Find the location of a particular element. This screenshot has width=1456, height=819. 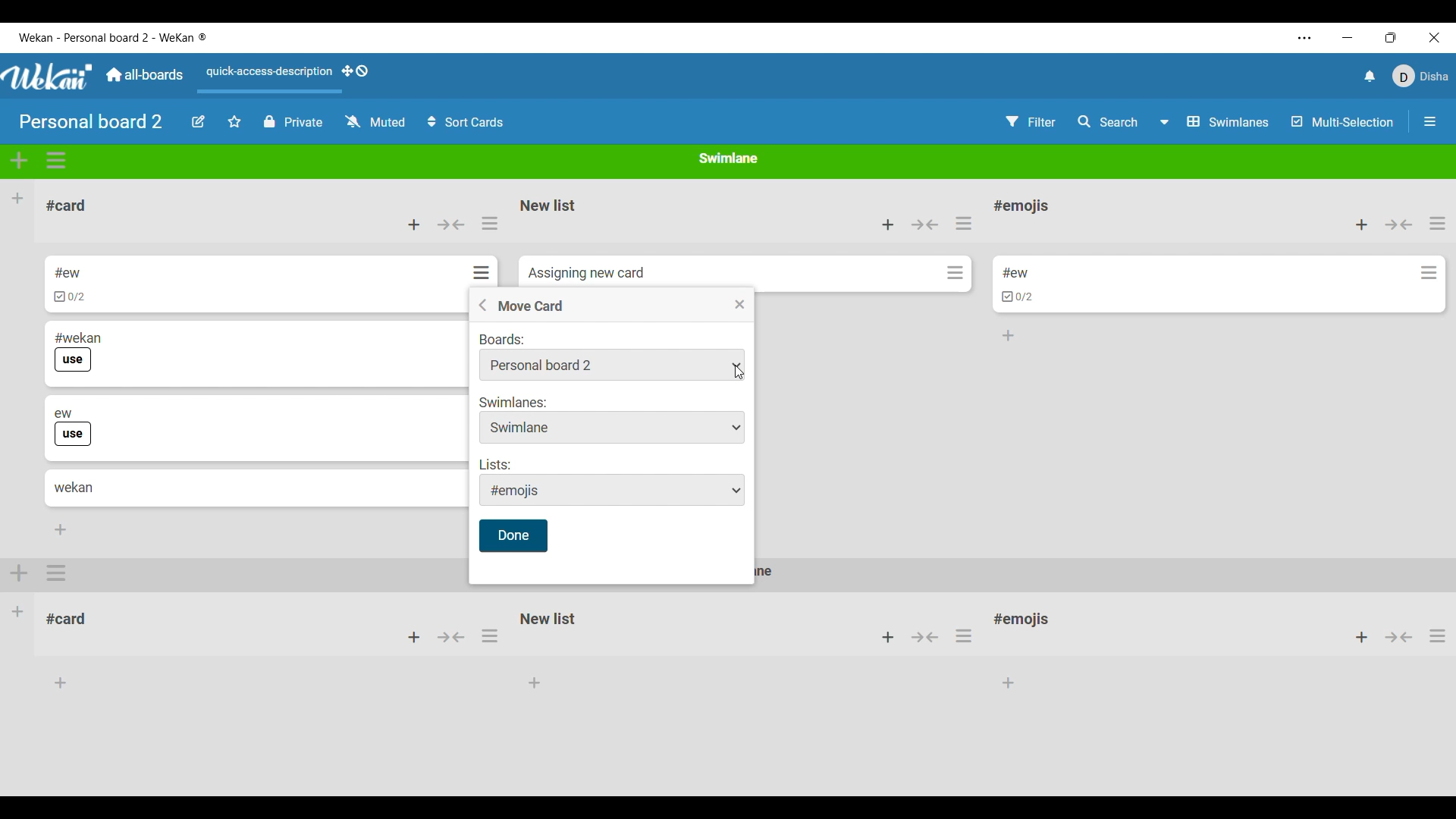

Other Swimlane in the board is located at coordinates (18, 610).